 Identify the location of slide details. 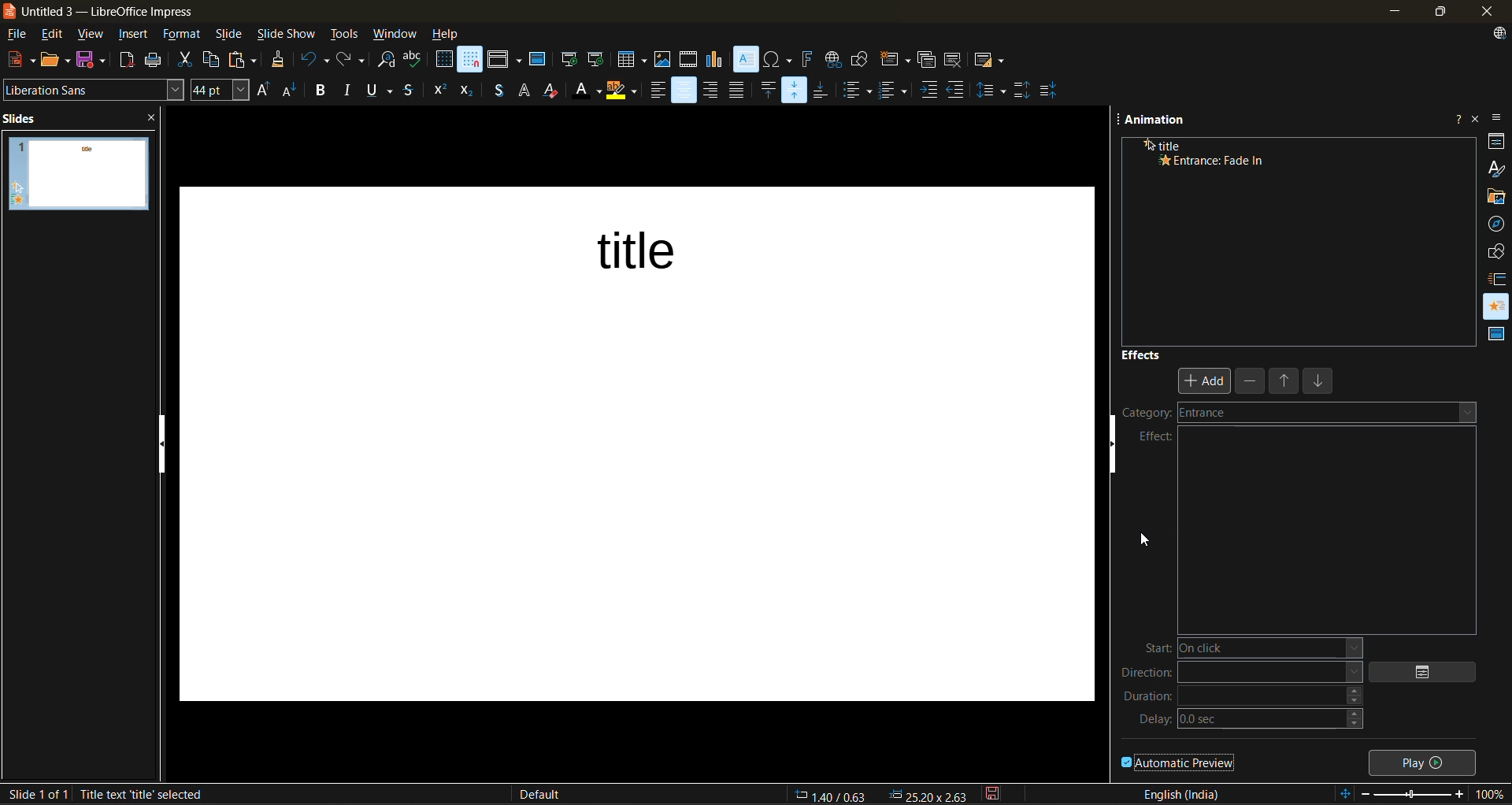
(37, 794).